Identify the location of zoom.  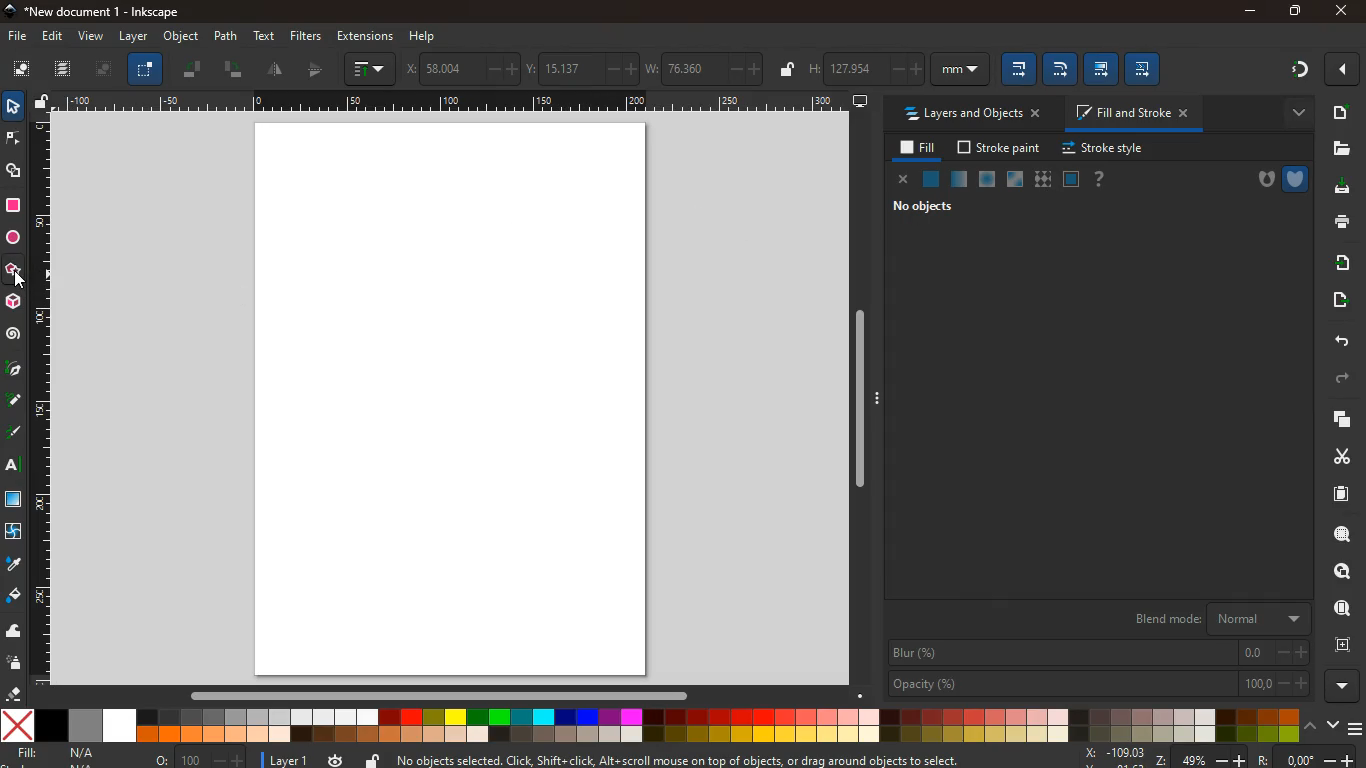
(1339, 536).